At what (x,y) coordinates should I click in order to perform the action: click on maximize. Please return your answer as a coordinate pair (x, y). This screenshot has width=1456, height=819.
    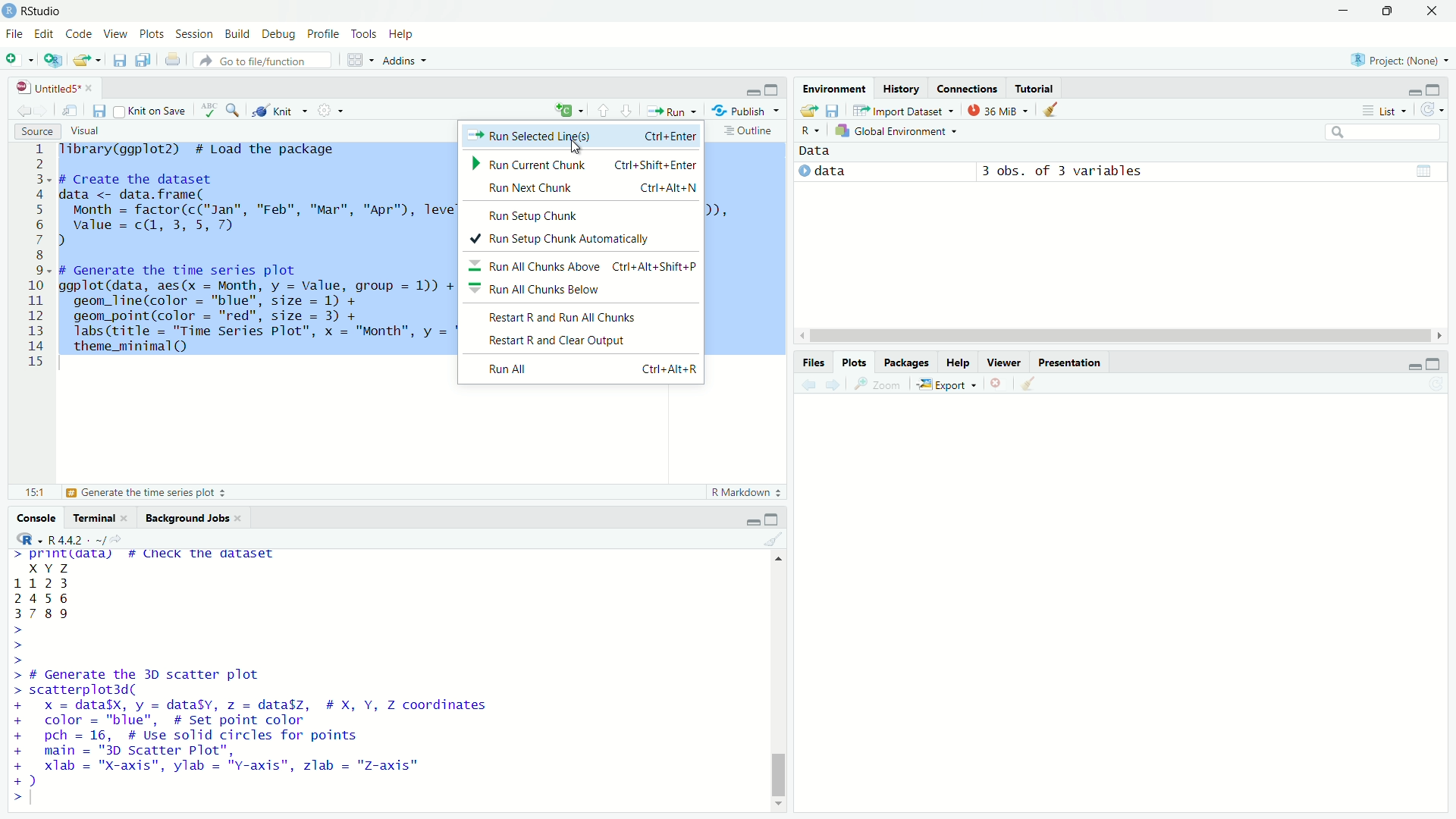
    Looking at the image, I should click on (776, 86).